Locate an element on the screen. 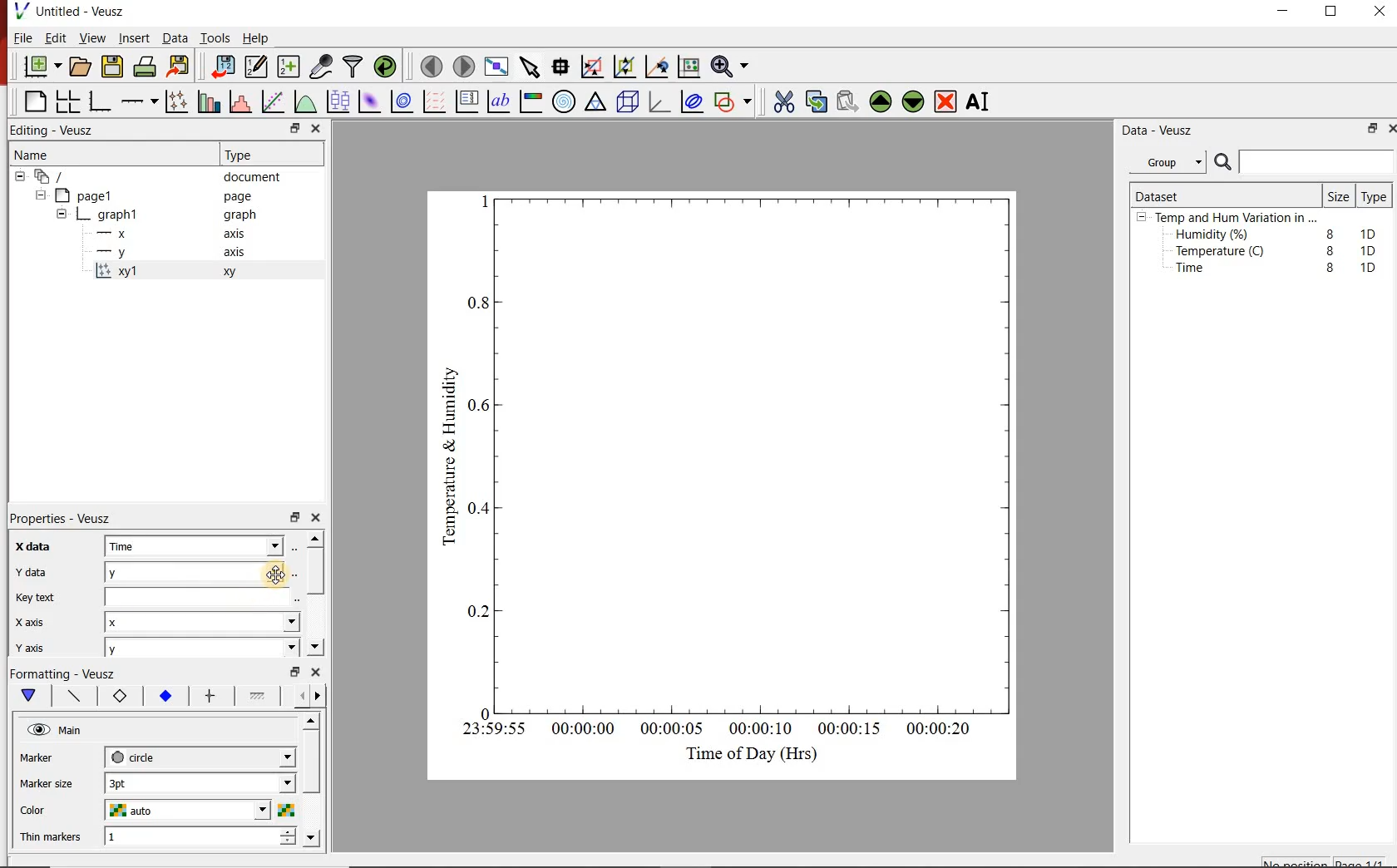 The image size is (1397, 868). capture remote data is located at coordinates (320, 65).